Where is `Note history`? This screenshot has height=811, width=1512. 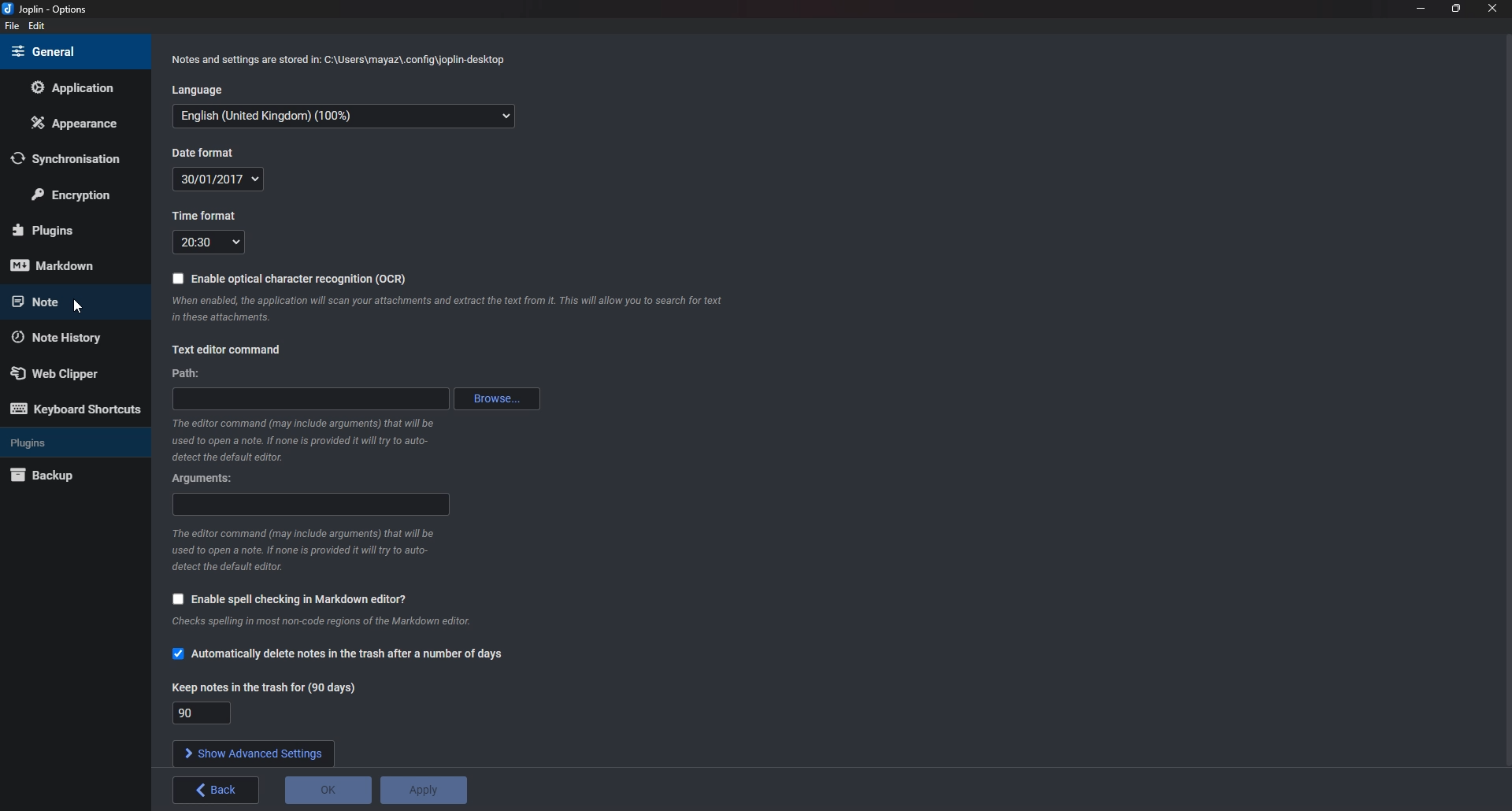
Note history is located at coordinates (66, 339).